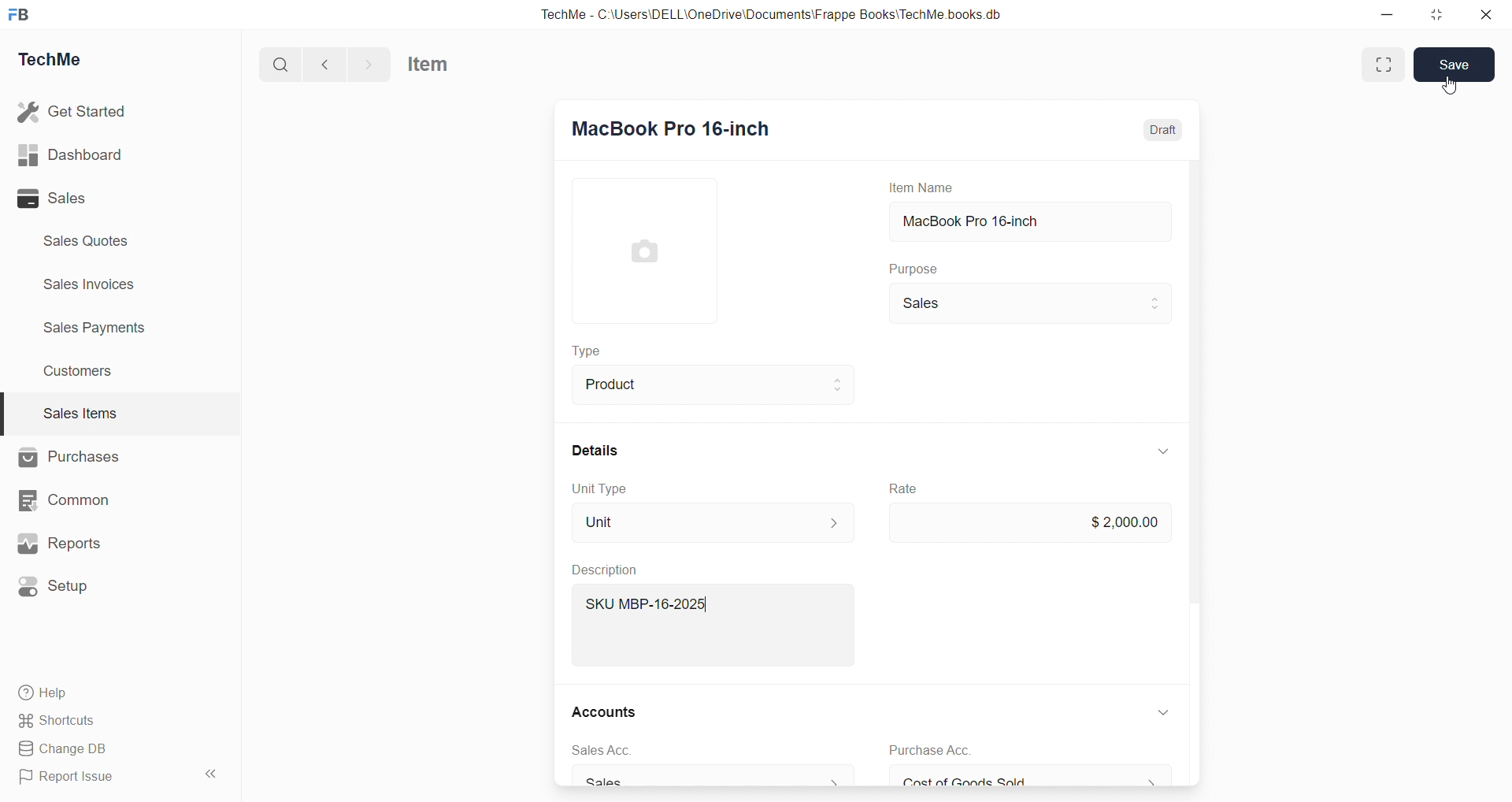  What do you see at coordinates (911, 268) in the screenshot?
I see `Purpose` at bounding box center [911, 268].